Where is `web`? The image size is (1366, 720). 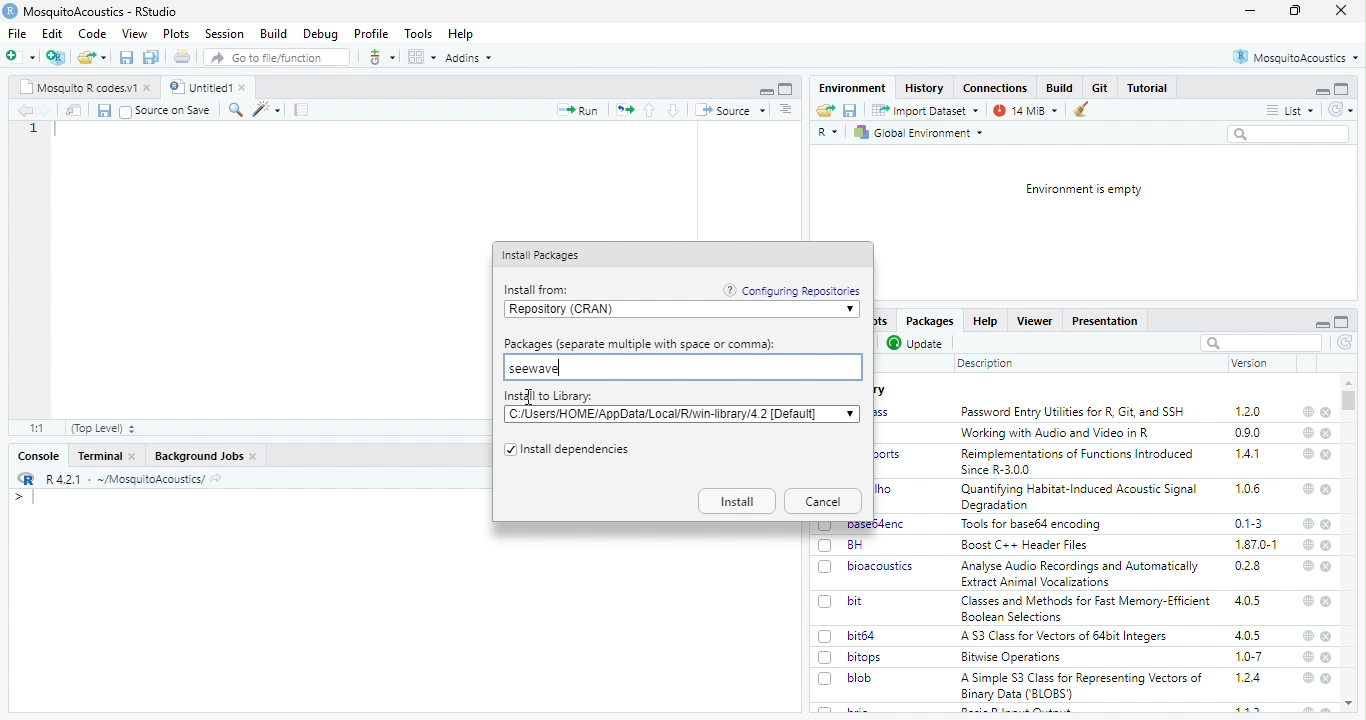
web is located at coordinates (1310, 544).